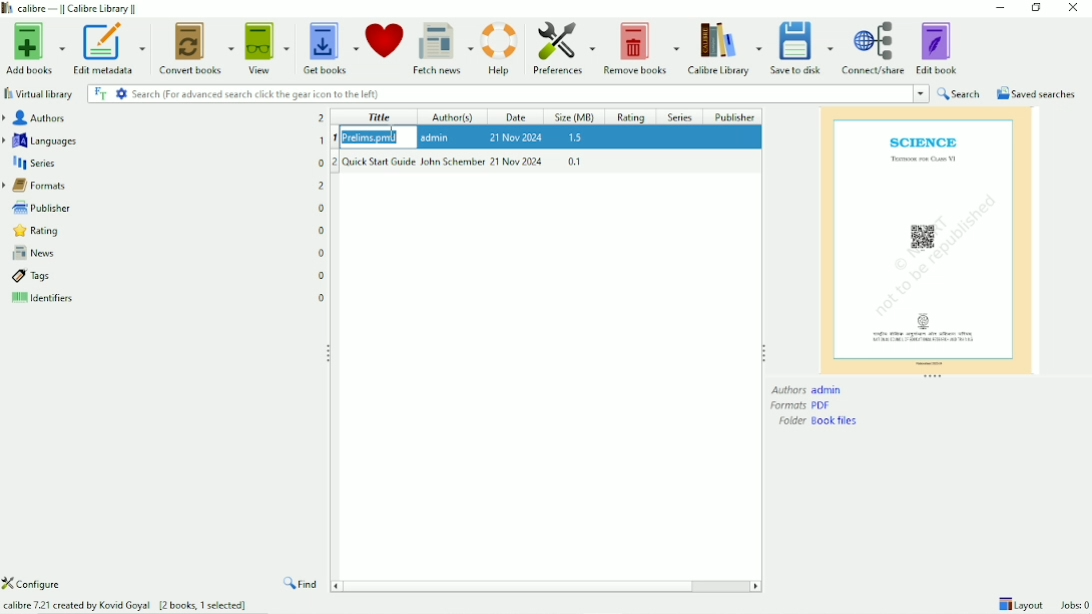 This screenshot has height=614, width=1092. What do you see at coordinates (499, 93) in the screenshot?
I see `Search` at bounding box center [499, 93].